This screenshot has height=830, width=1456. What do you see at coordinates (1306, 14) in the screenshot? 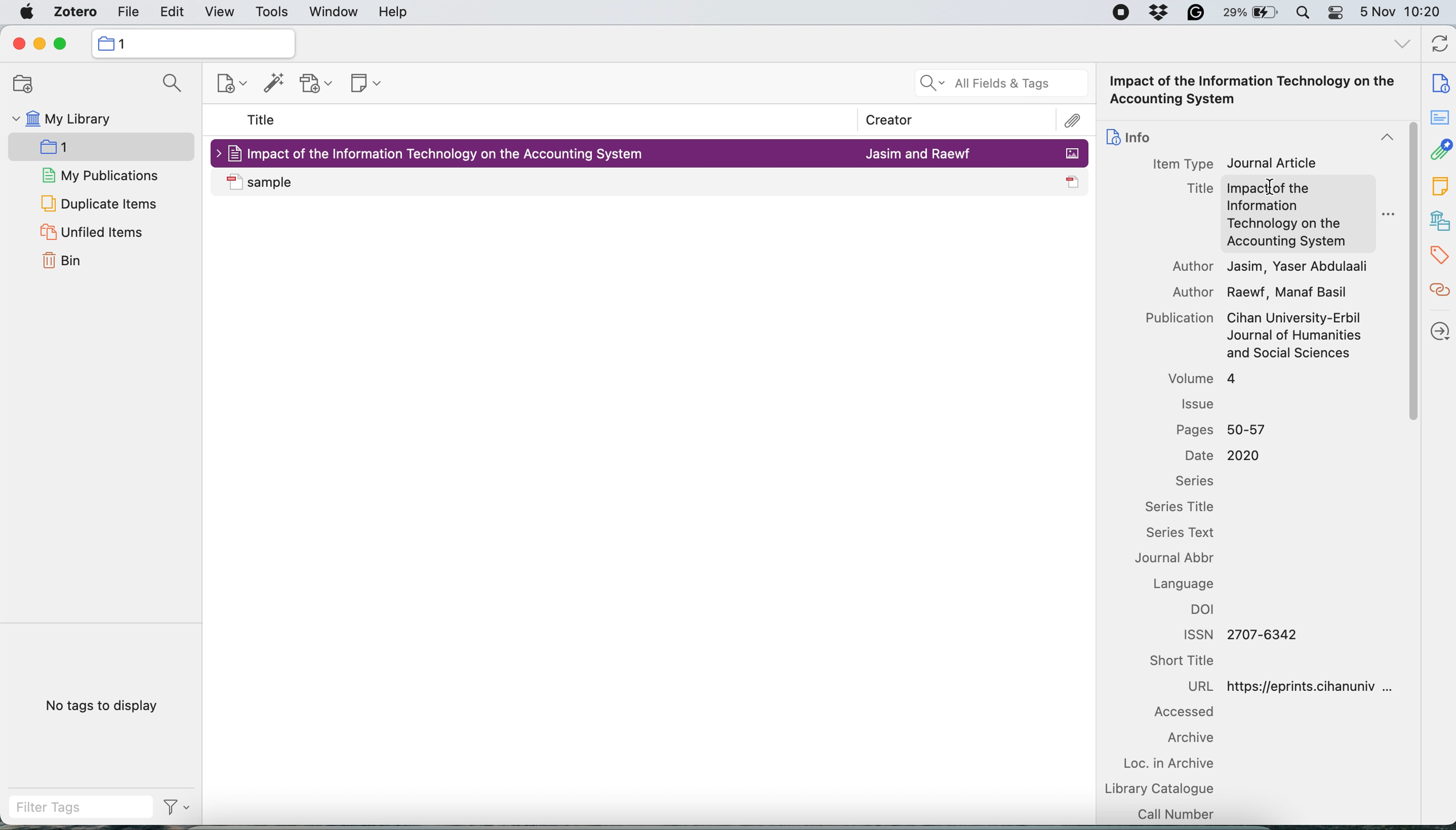
I see `spotlight search` at bounding box center [1306, 14].